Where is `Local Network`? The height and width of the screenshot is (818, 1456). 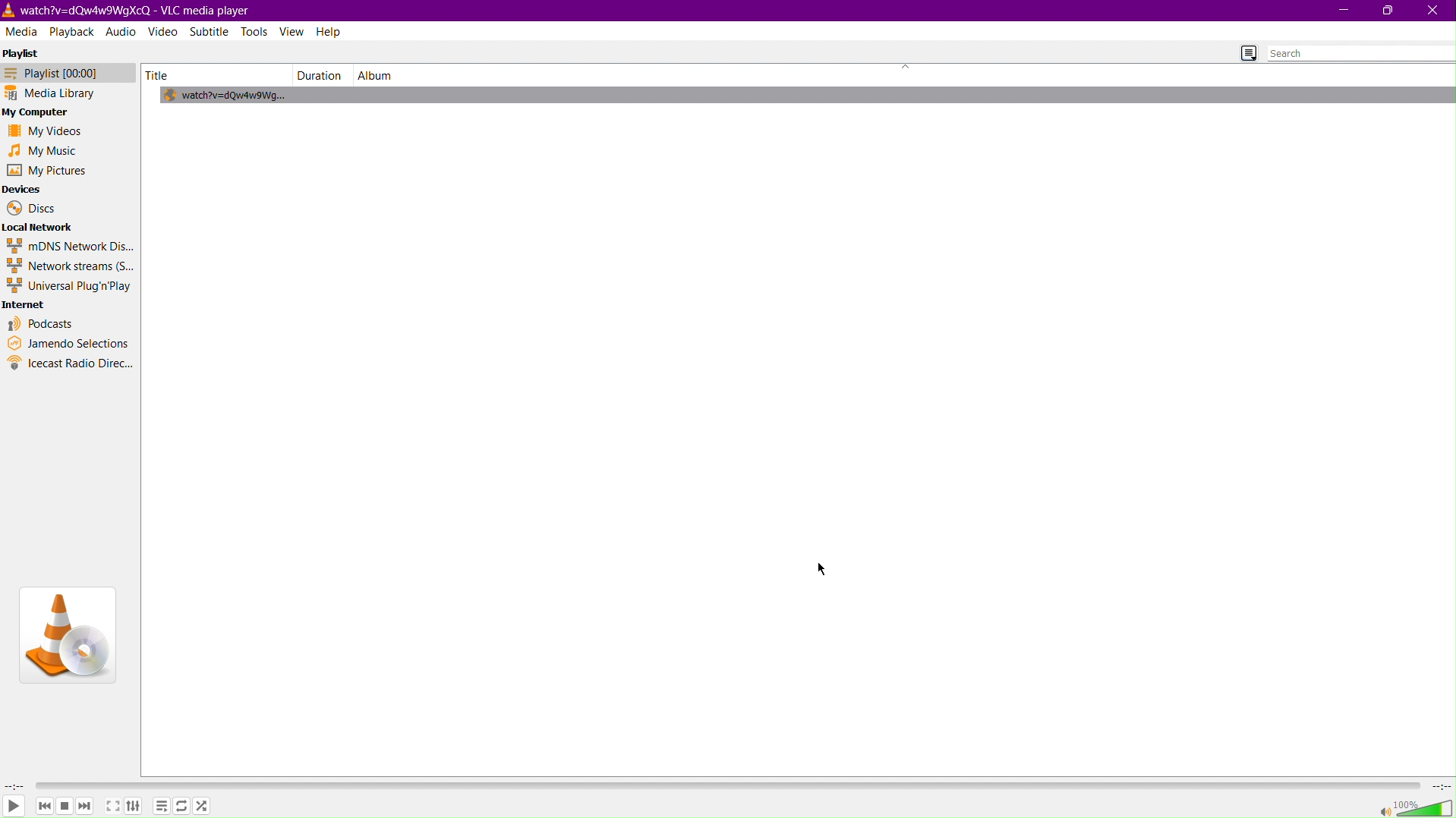 Local Network is located at coordinates (42, 228).